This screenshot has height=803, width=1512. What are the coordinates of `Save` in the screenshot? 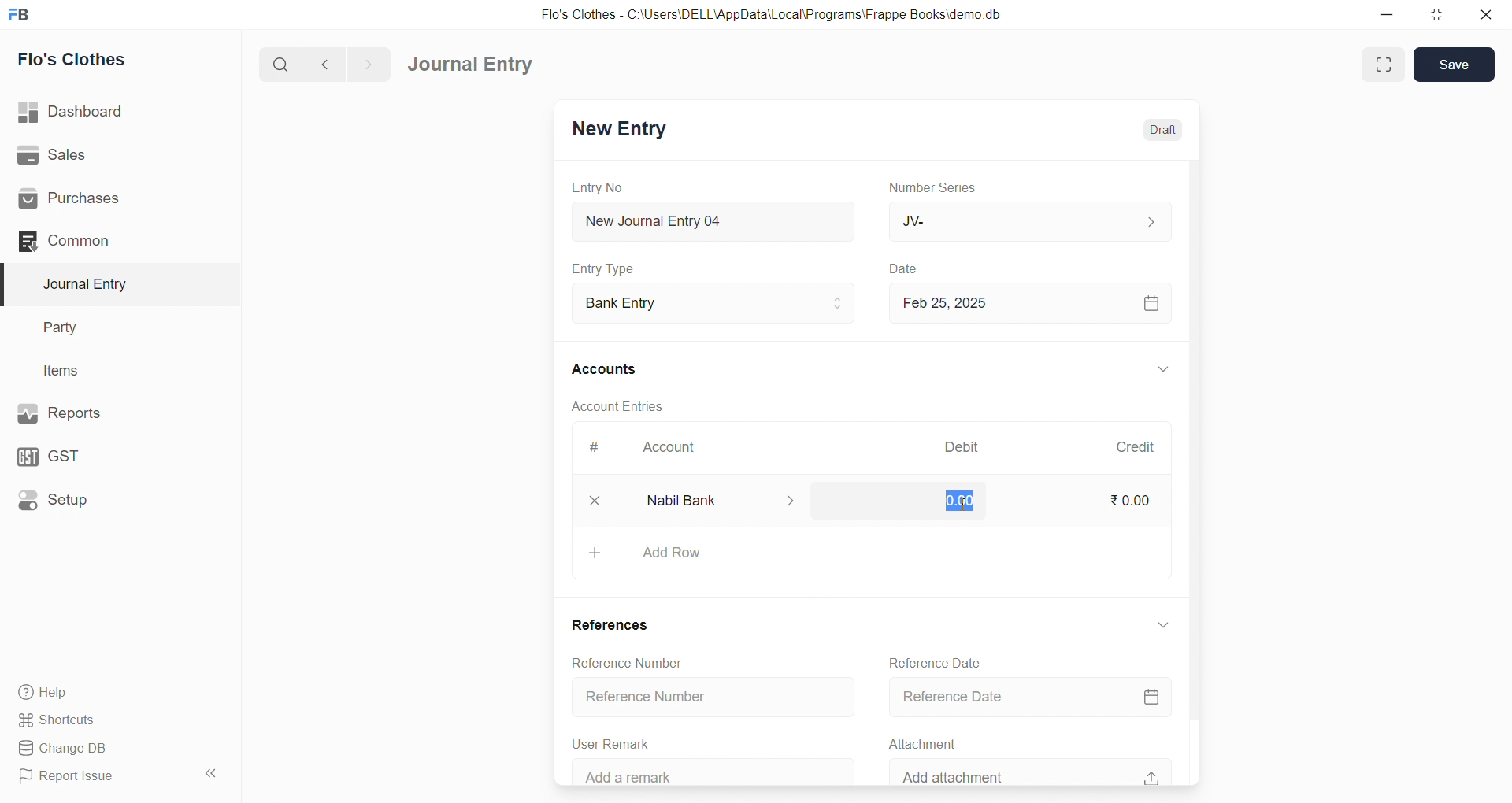 It's located at (1455, 63).